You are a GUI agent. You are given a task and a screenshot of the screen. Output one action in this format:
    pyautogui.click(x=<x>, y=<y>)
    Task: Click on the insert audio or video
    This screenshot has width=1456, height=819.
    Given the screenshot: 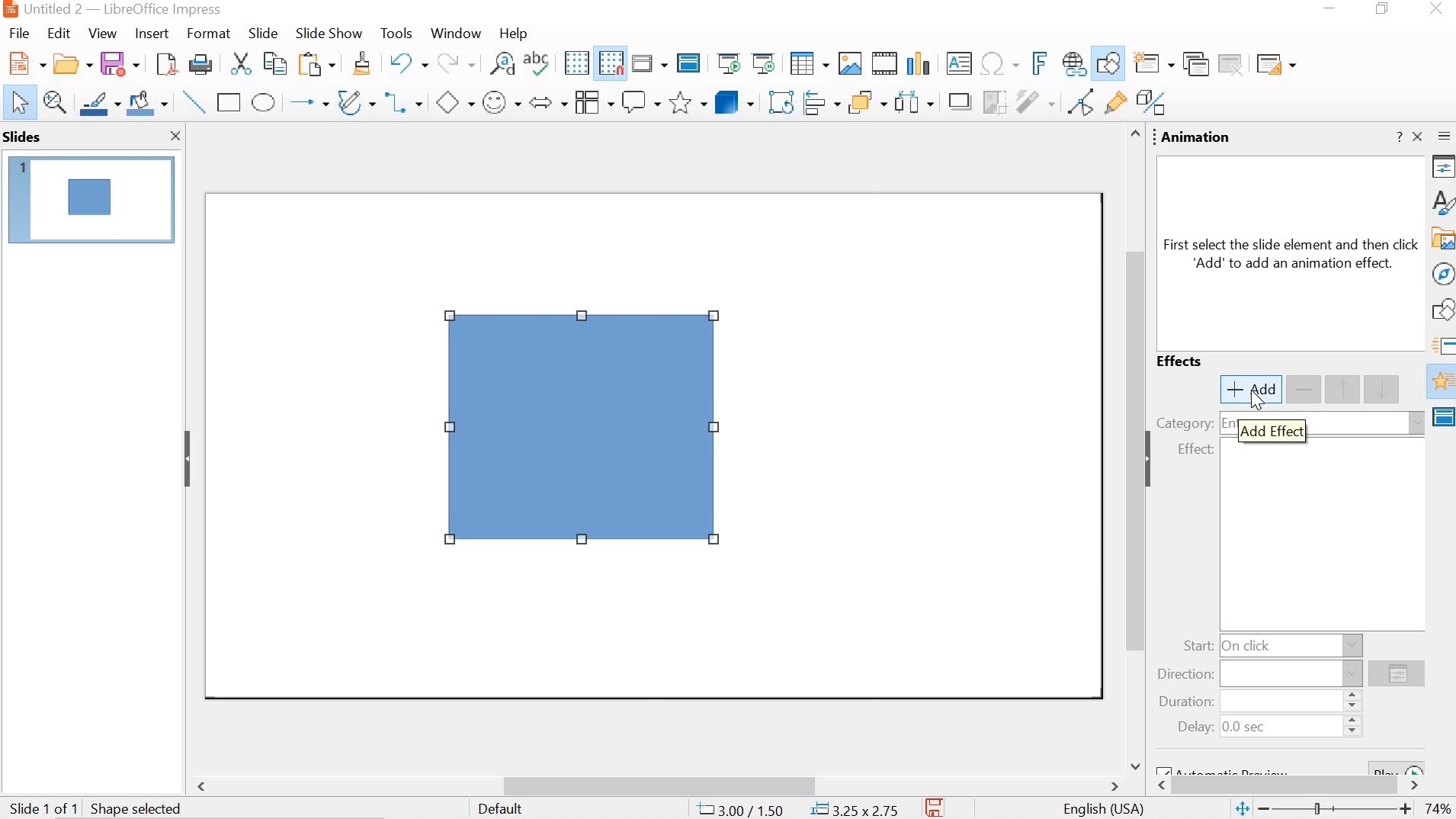 What is the action you would take?
    pyautogui.click(x=883, y=62)
    